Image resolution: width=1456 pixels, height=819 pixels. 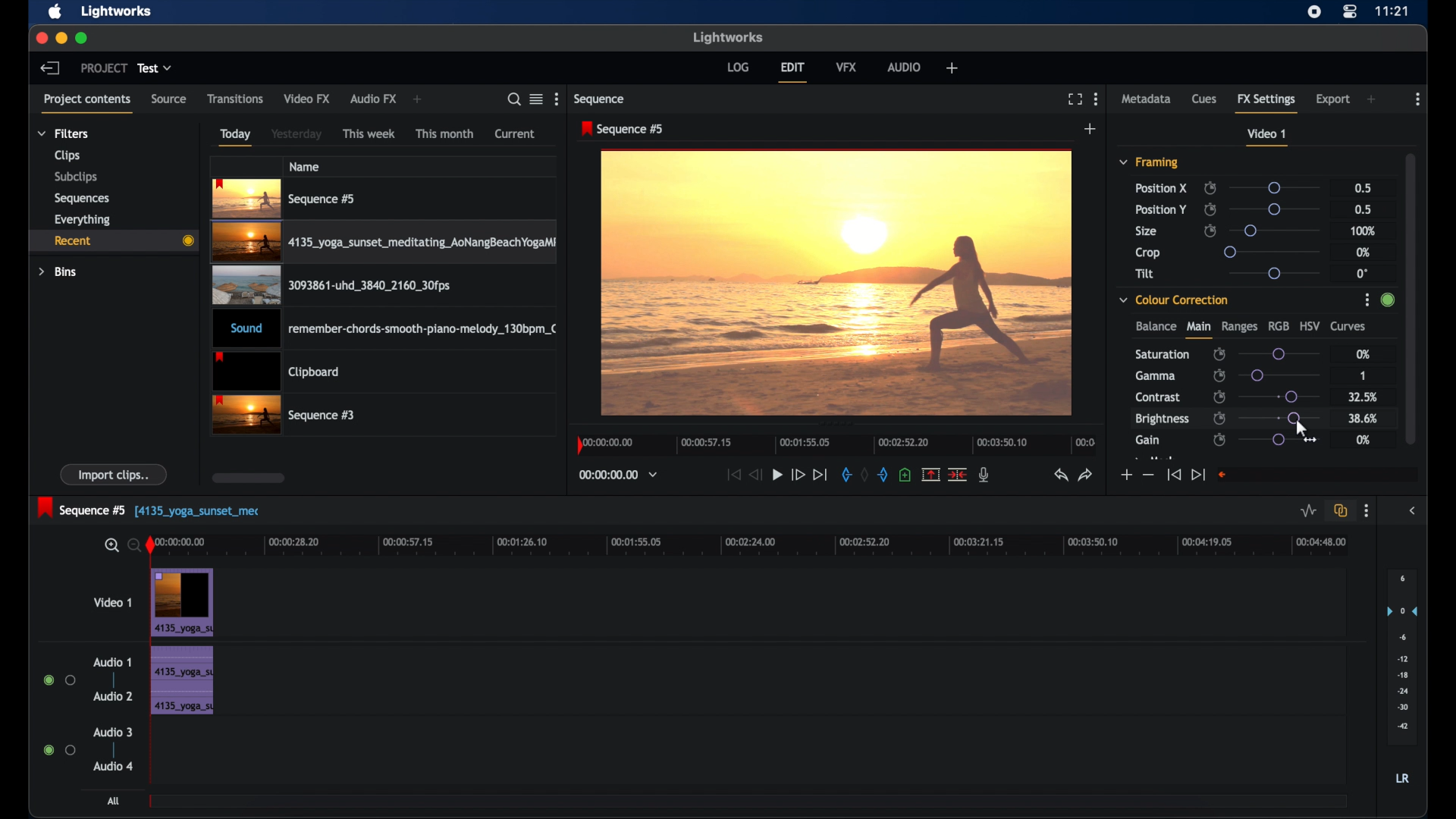 I want to click on all, so click(x=115, y=801).